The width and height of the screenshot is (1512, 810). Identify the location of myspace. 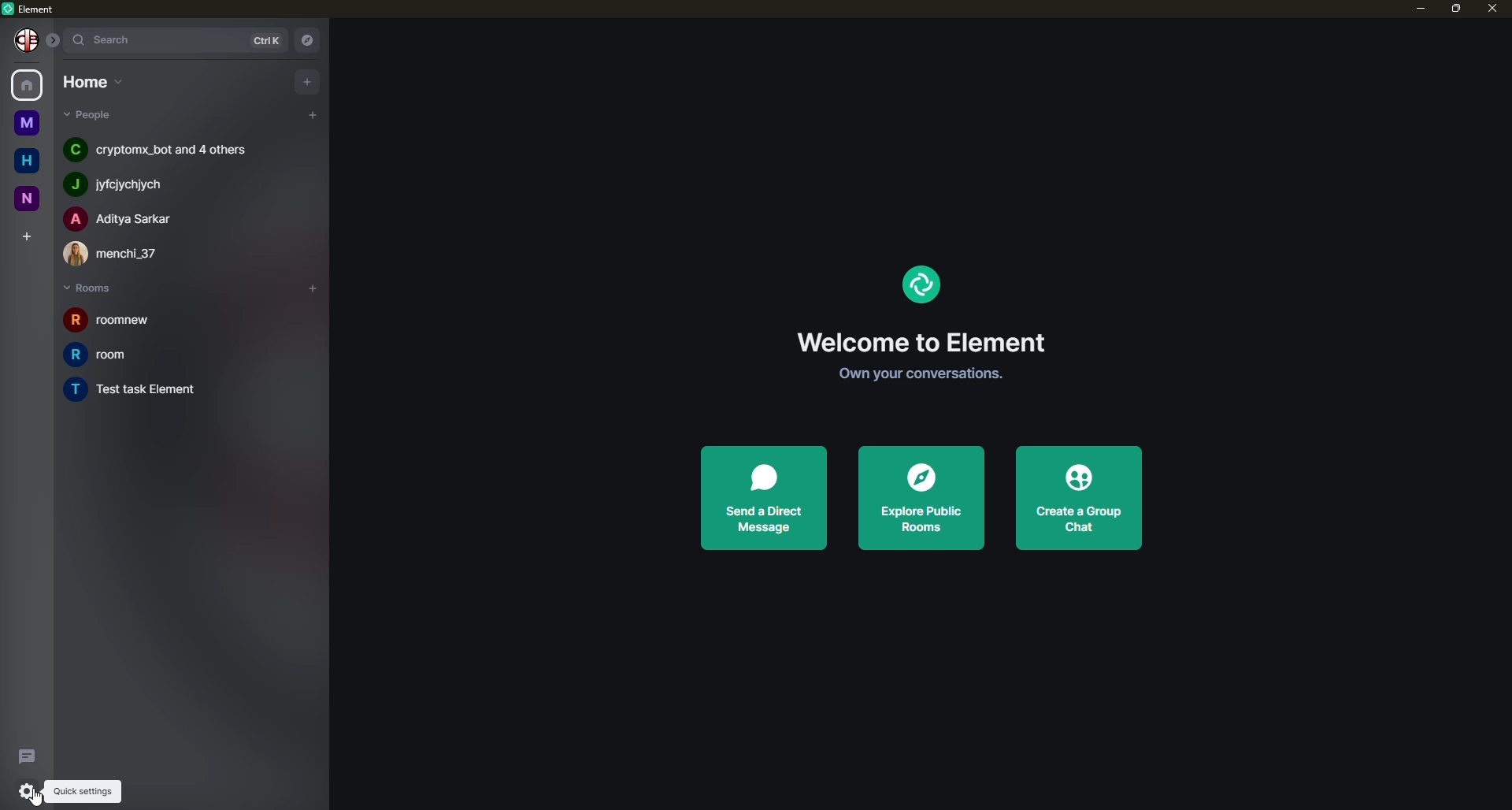
(24, 121).